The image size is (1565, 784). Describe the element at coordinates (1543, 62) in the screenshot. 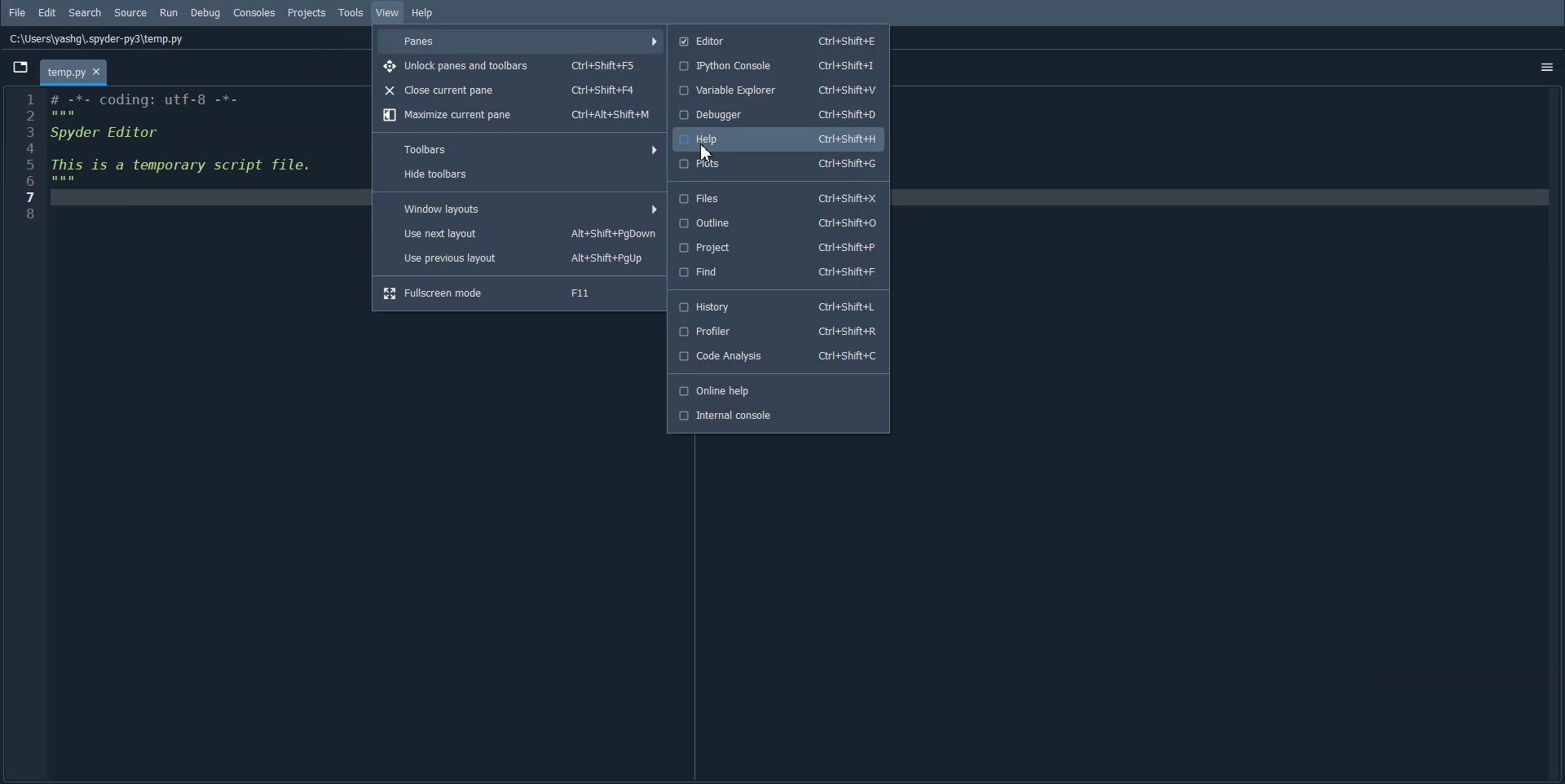

I see `options` at that location.